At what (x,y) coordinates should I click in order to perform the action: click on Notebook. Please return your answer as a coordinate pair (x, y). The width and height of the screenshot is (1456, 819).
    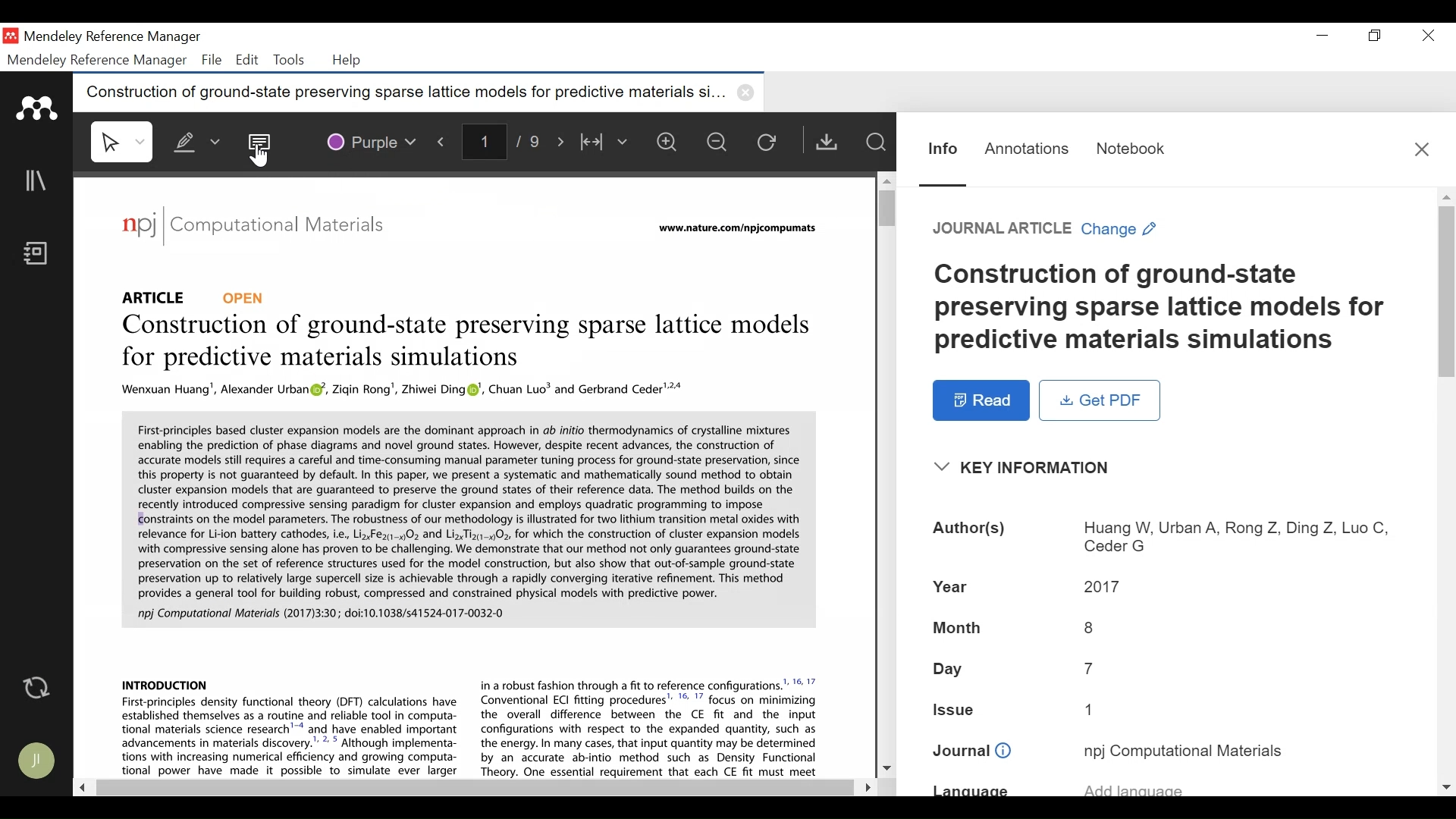
    Looking at the image, I should click on (39, 255).